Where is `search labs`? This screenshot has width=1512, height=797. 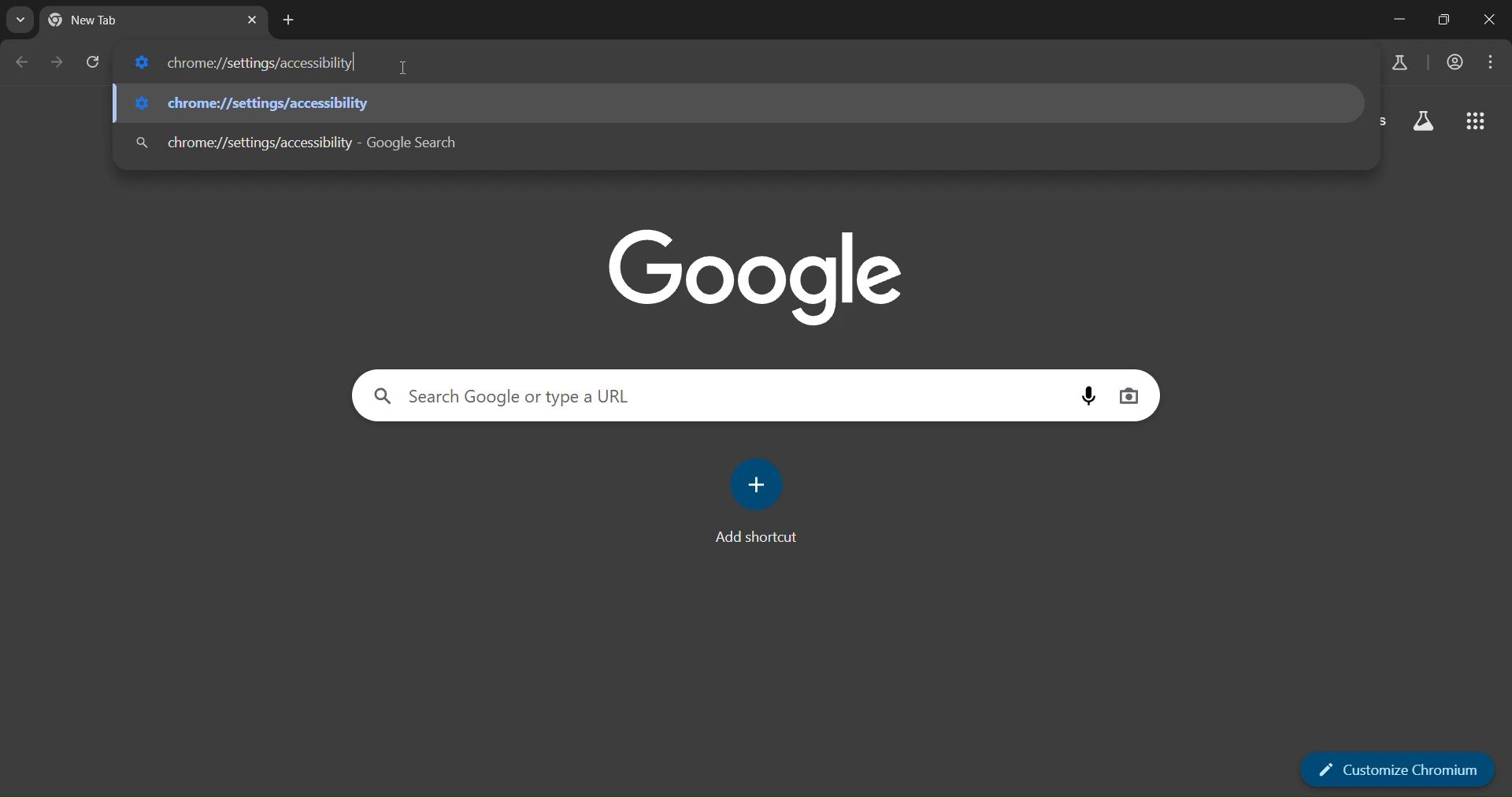
search labs is located at coordinates (1399, 64).